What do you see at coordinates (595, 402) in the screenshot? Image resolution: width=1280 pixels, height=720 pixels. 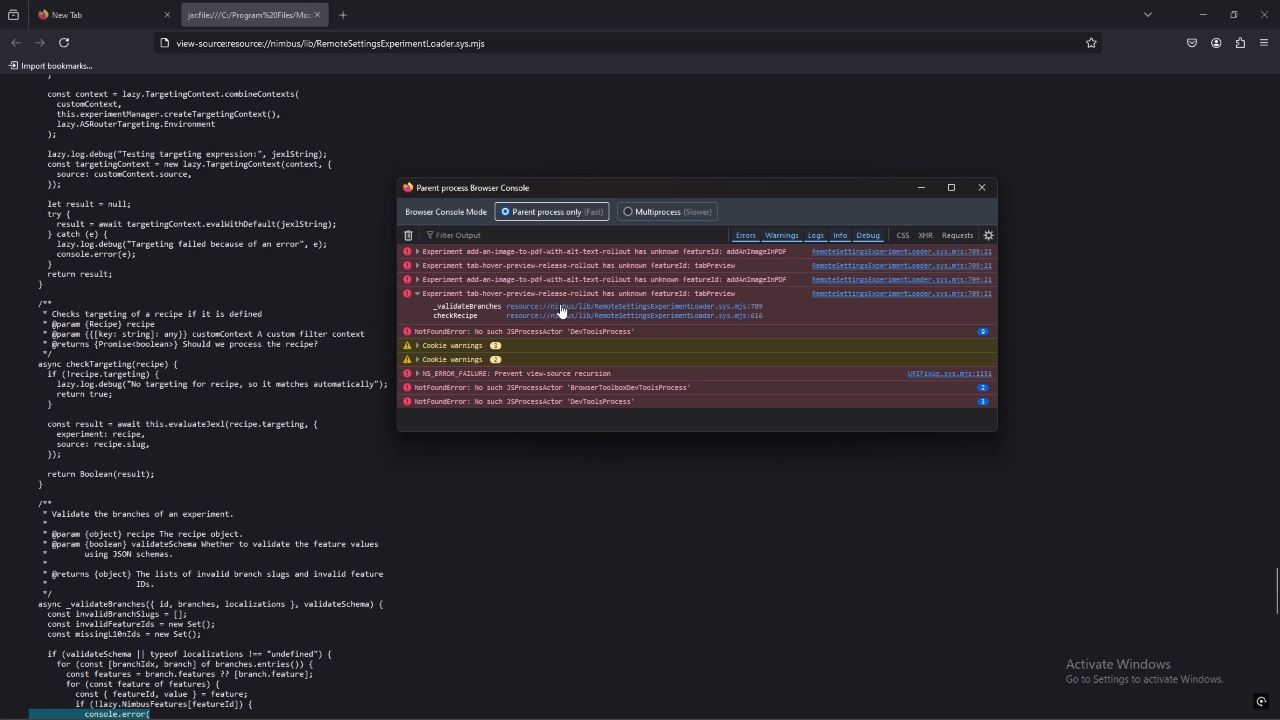 I see `log` at bounding box center [595, 402].